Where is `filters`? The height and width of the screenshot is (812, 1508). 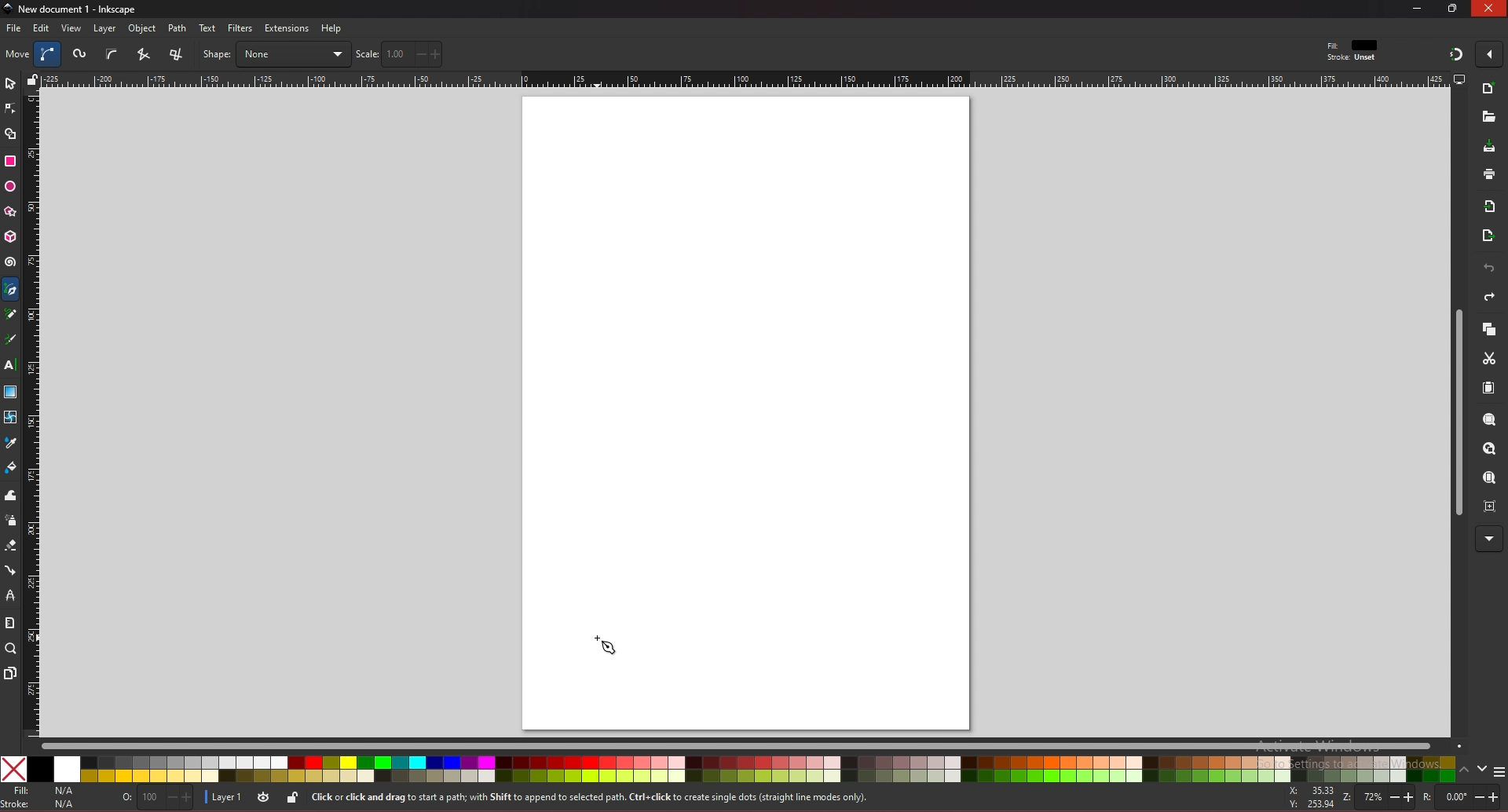 filters is located at coordinates (241, 28).